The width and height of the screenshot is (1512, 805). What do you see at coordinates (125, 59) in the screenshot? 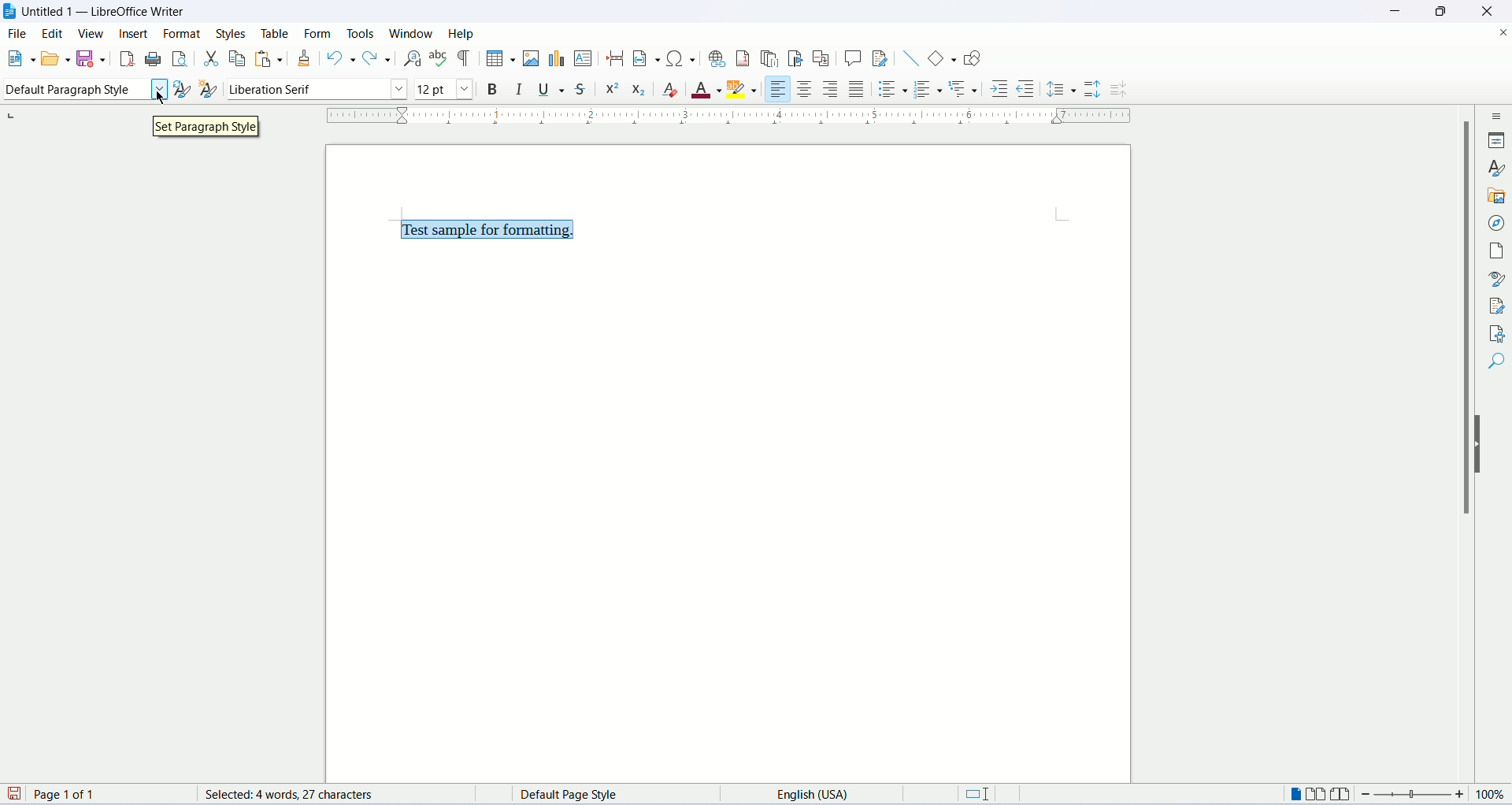
I see `export as PDF` at bounding box center [125, 59].